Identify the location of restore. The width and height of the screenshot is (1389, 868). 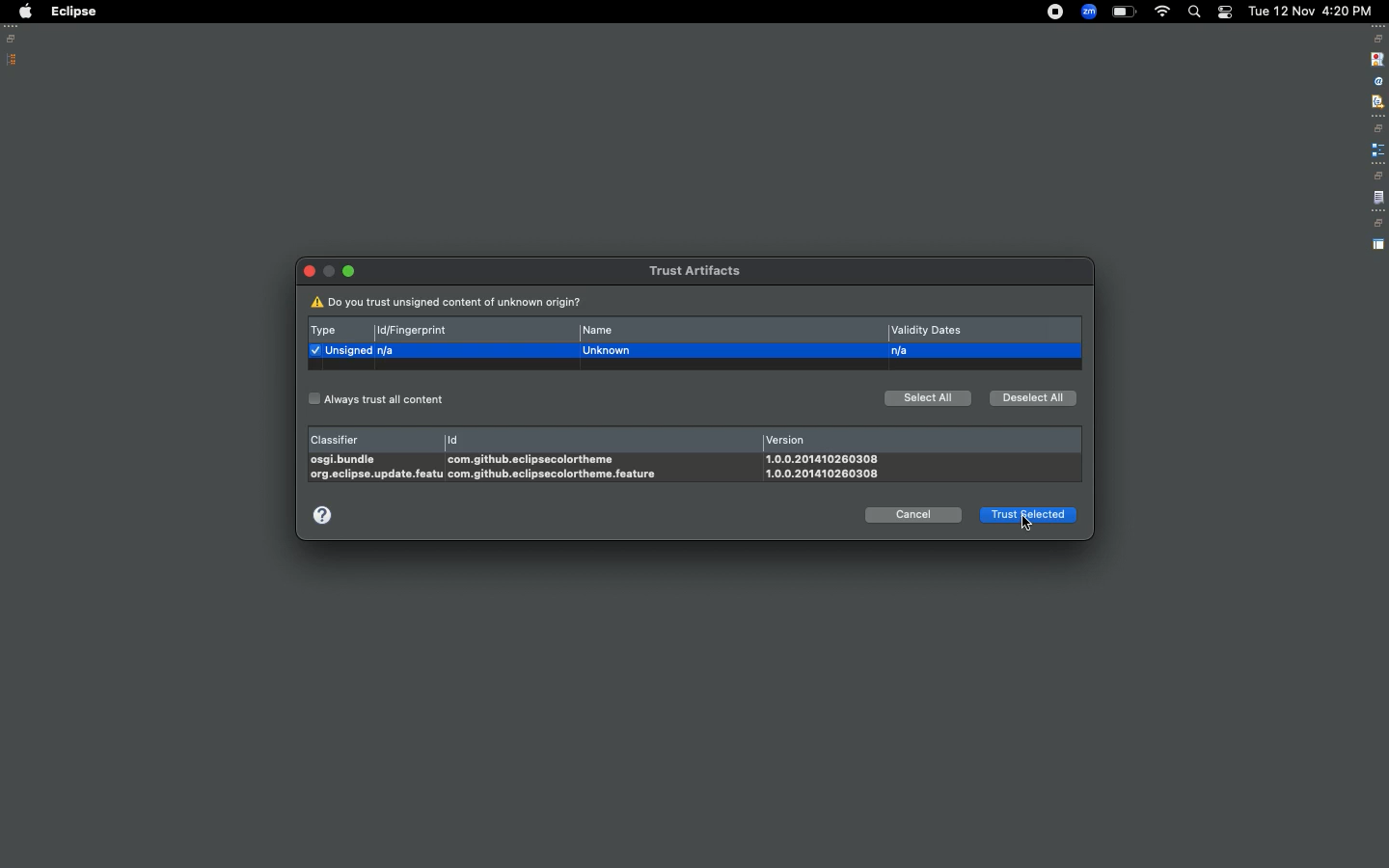
(1378, 39).